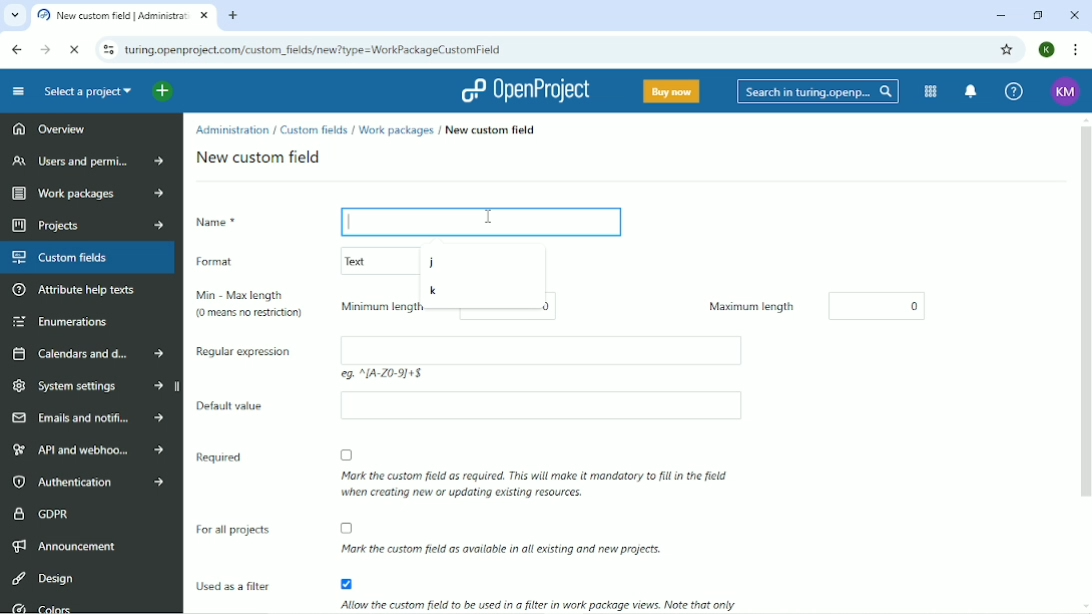  What do you see at coordinates (397, 131) in the screenshot?
I see `Work packages` at bounding box center [397, 131].